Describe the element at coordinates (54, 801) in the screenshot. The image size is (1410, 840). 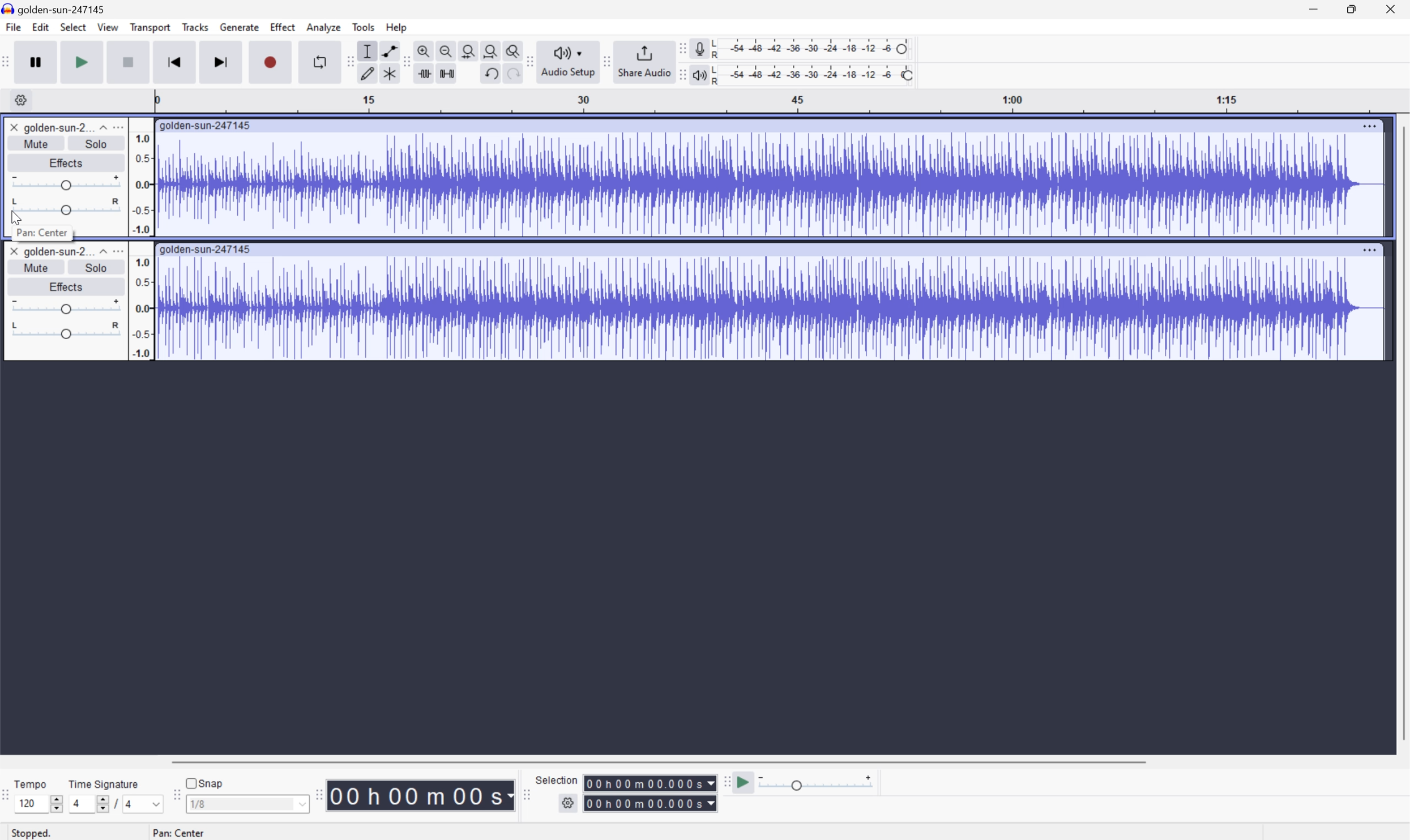
I see `Slider` at that location.